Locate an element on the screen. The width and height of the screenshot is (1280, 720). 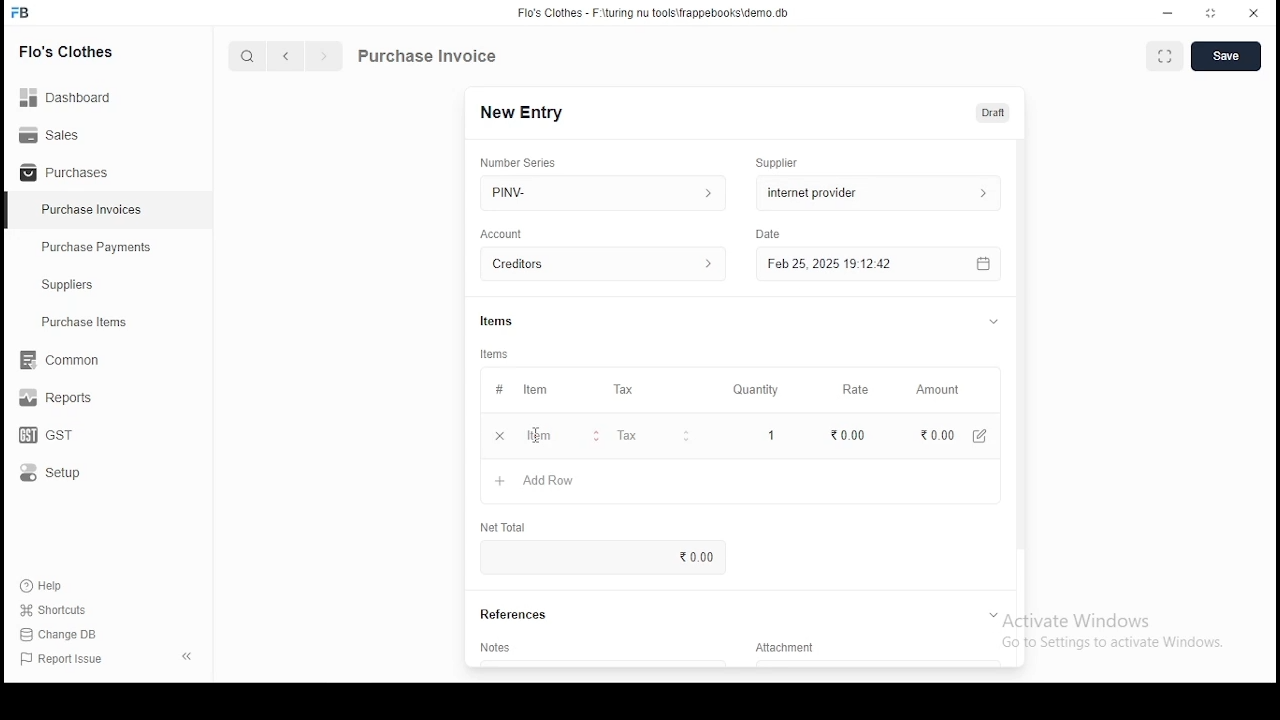
next is located at coordinates (324, 58).